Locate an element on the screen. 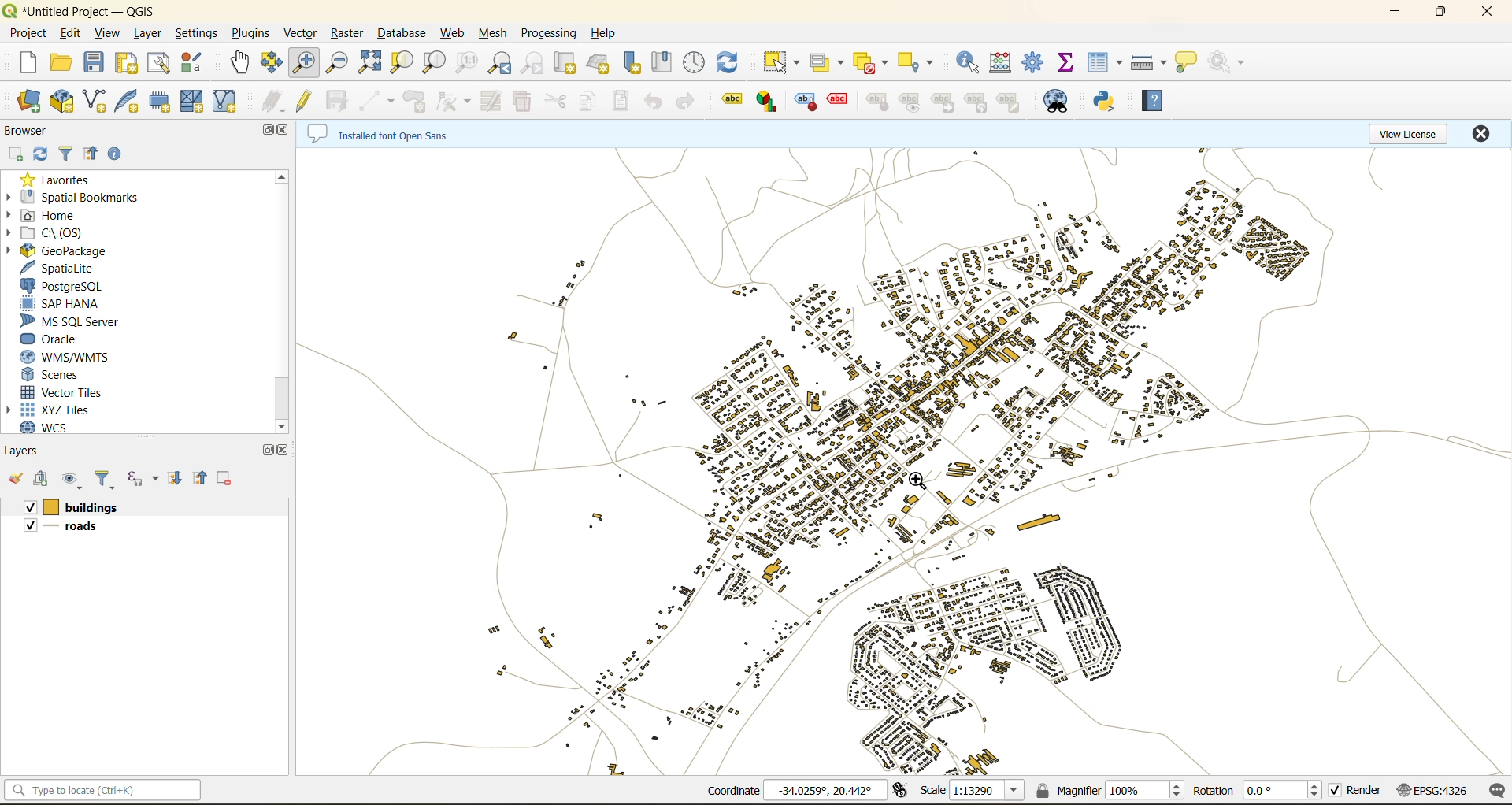 This screenshot has height=805, width=1512. layers is located at coordinates (91, 506).